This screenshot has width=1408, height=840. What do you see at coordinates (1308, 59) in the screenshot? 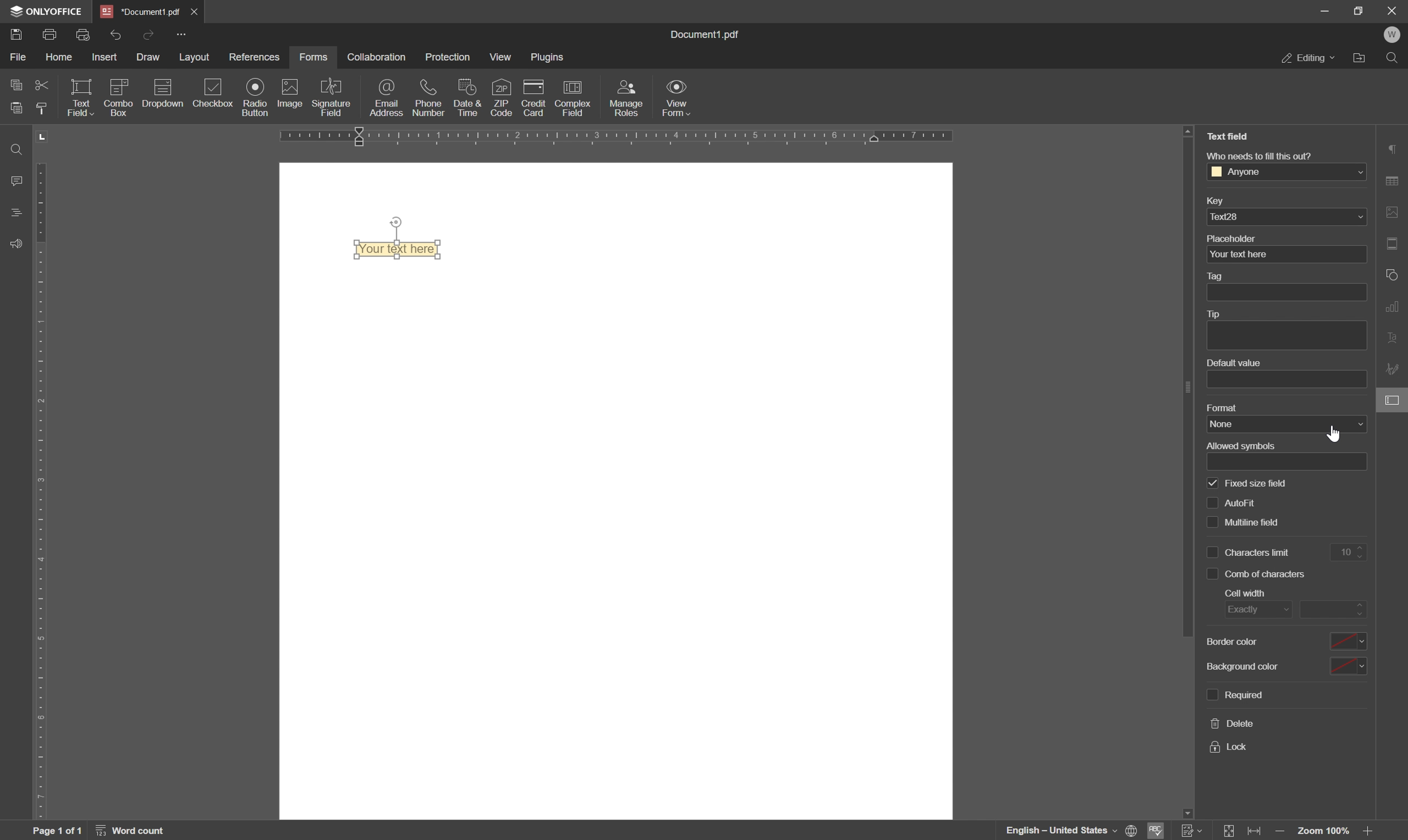
I see `editing` at bounding box center [1308, 59].